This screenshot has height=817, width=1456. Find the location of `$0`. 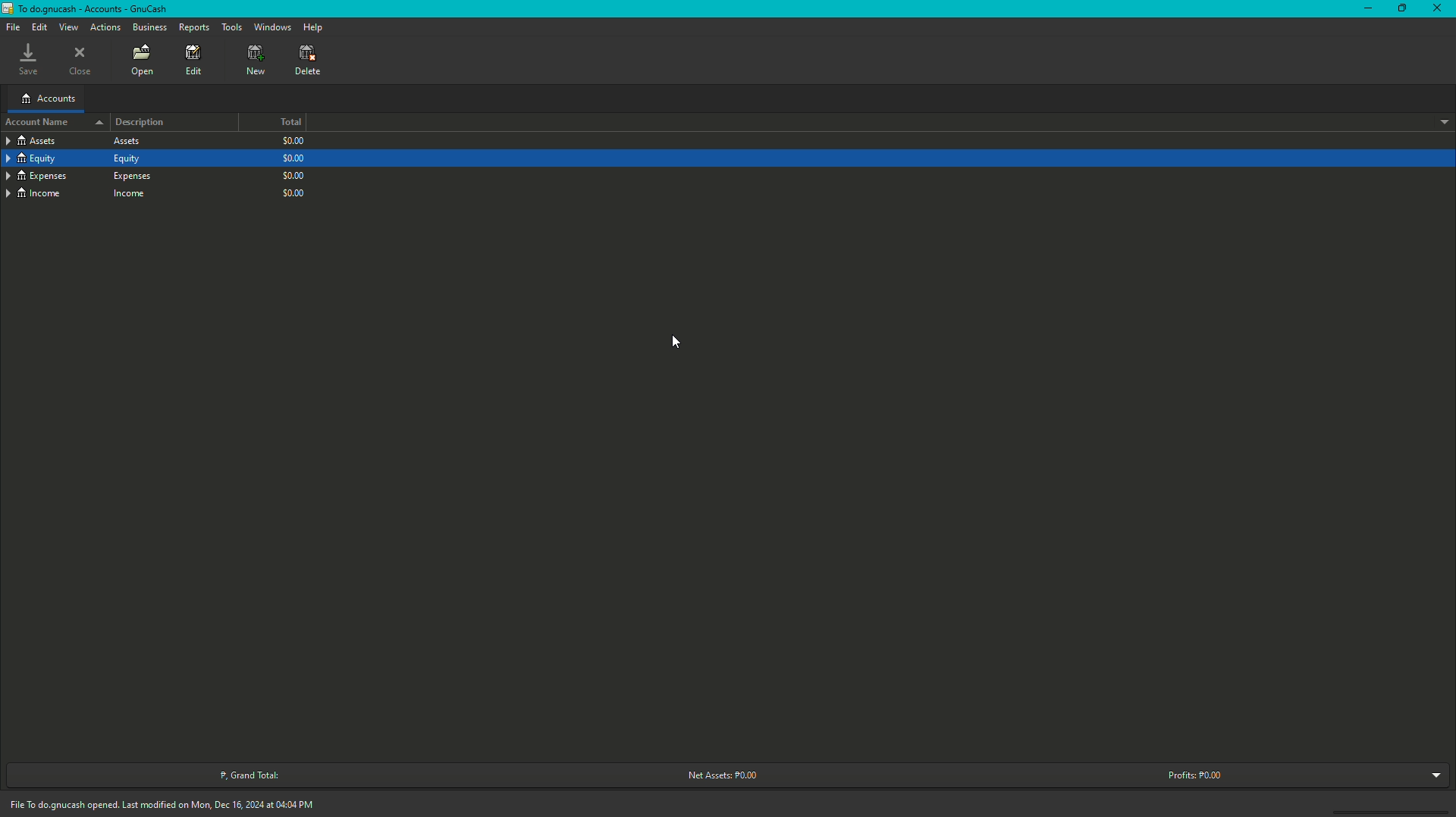

$0 is located at coordinates (293, 191).